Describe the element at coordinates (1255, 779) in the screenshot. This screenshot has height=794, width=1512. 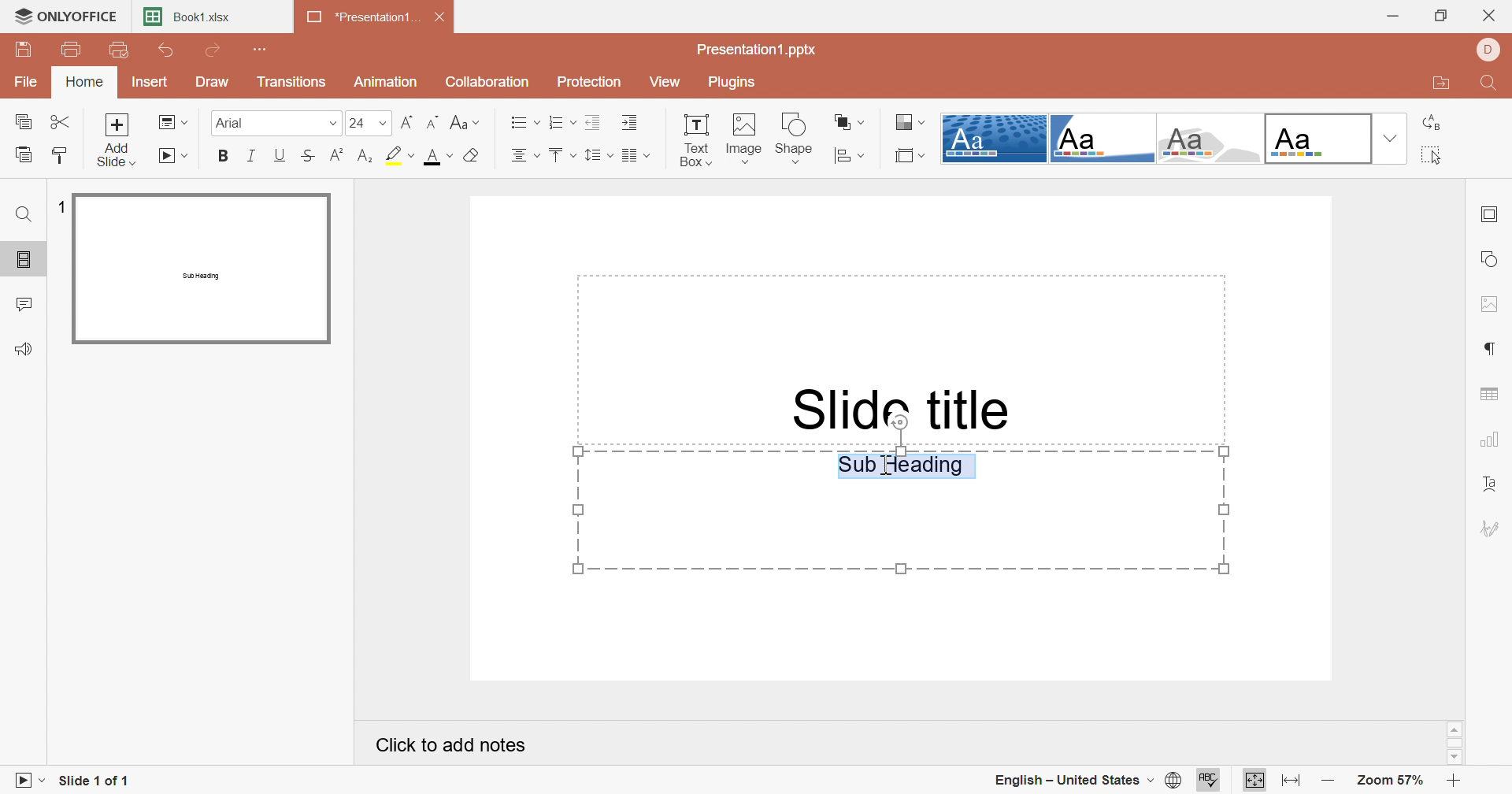
I see `Fit to slide` at that location.